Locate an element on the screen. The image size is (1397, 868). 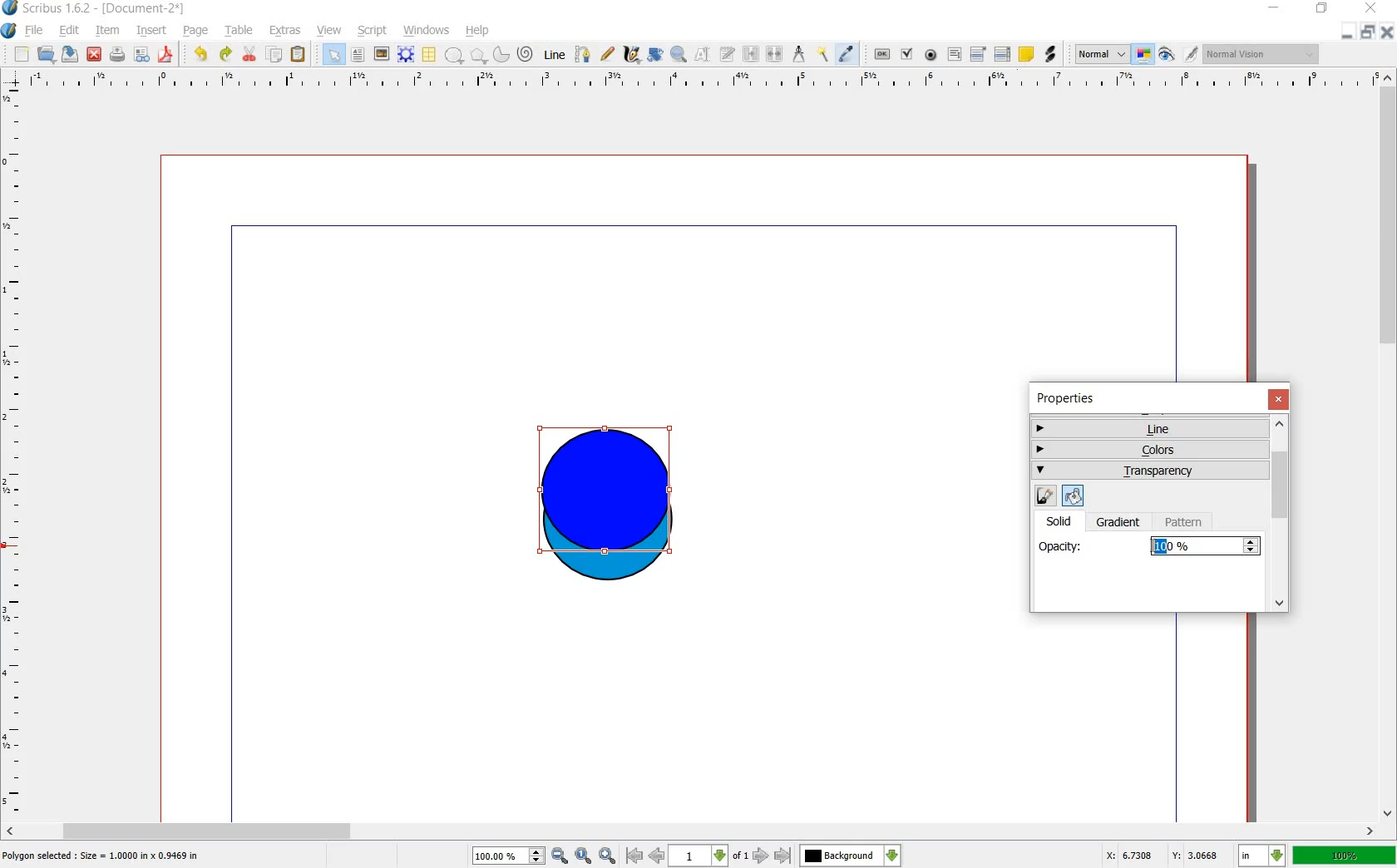
normal  is located at coordinates (1099, 54).